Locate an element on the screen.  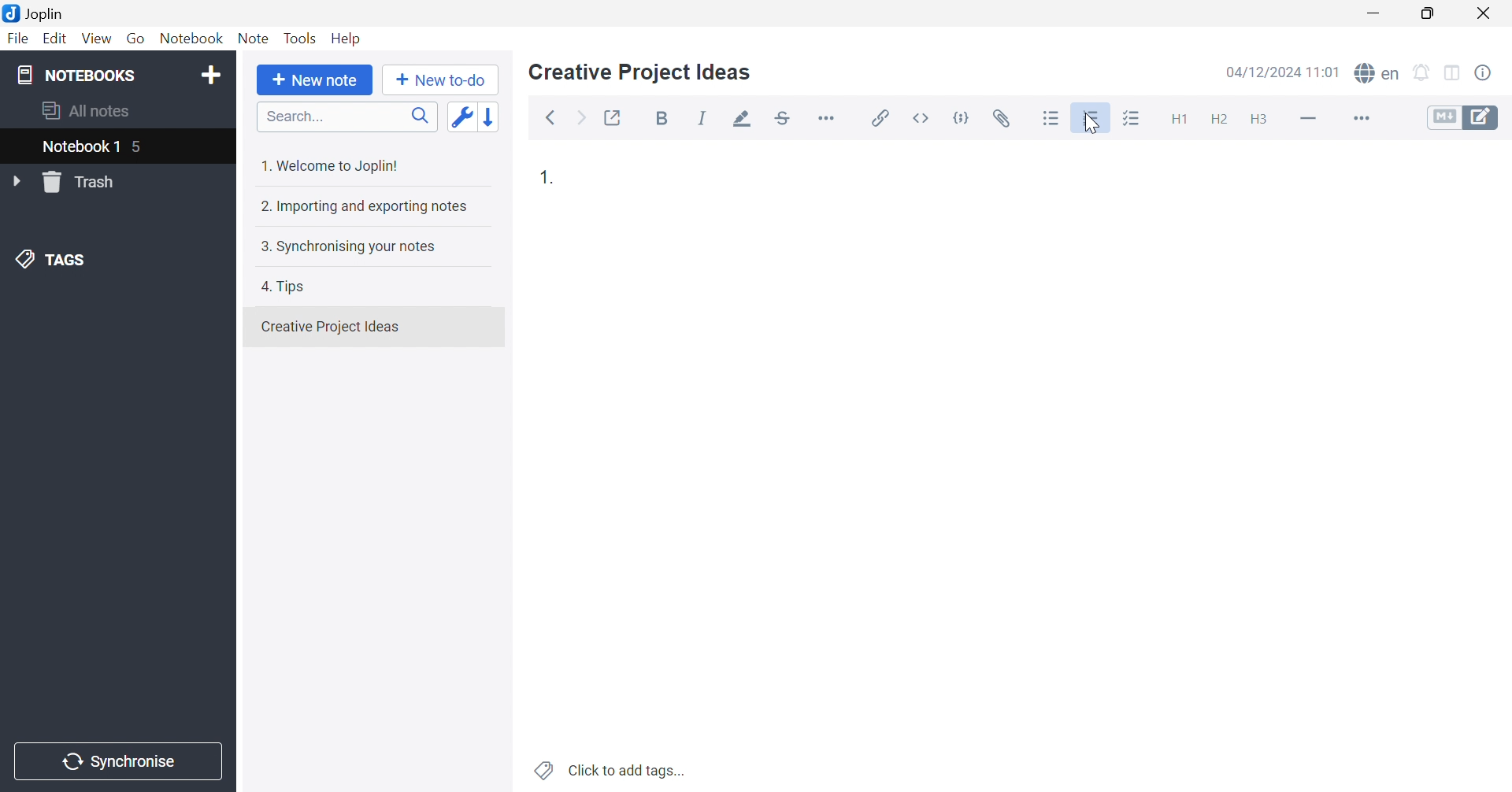
Horizontal line is located at coordinates (1308, 119).